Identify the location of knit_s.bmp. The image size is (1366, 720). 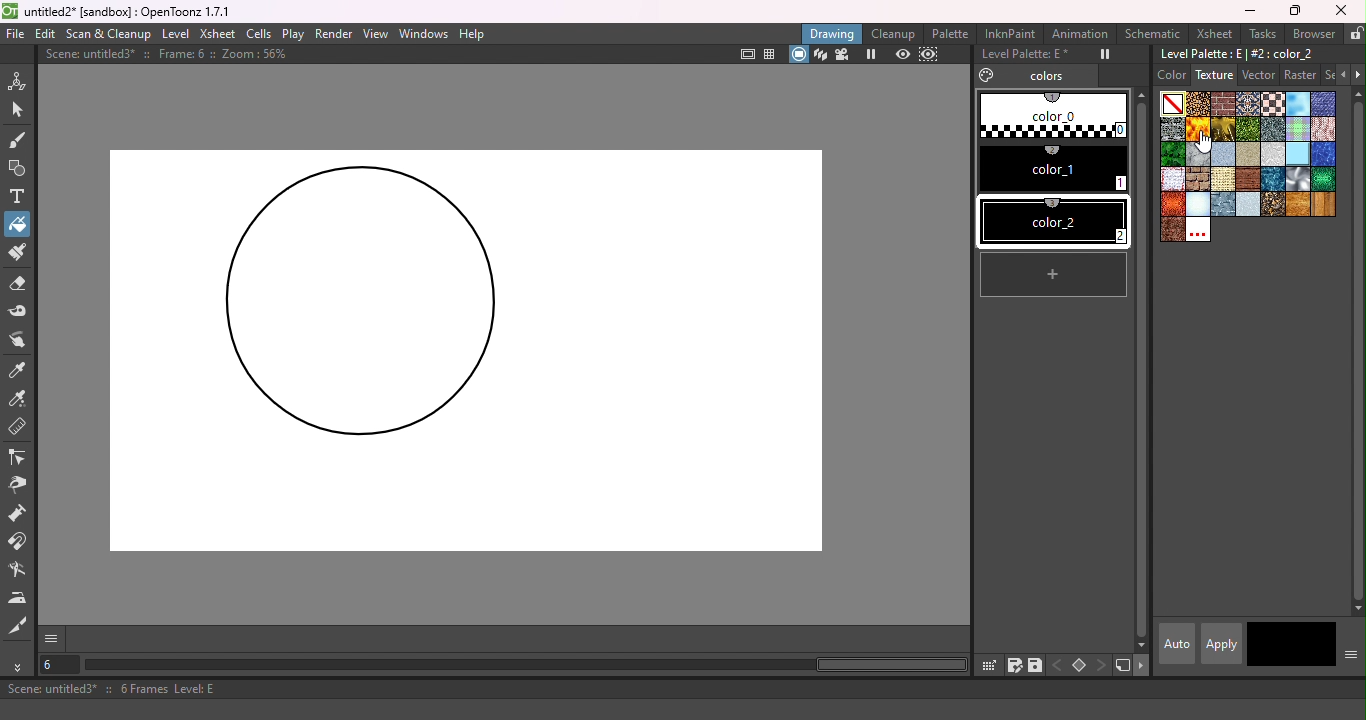
(1323, 129).